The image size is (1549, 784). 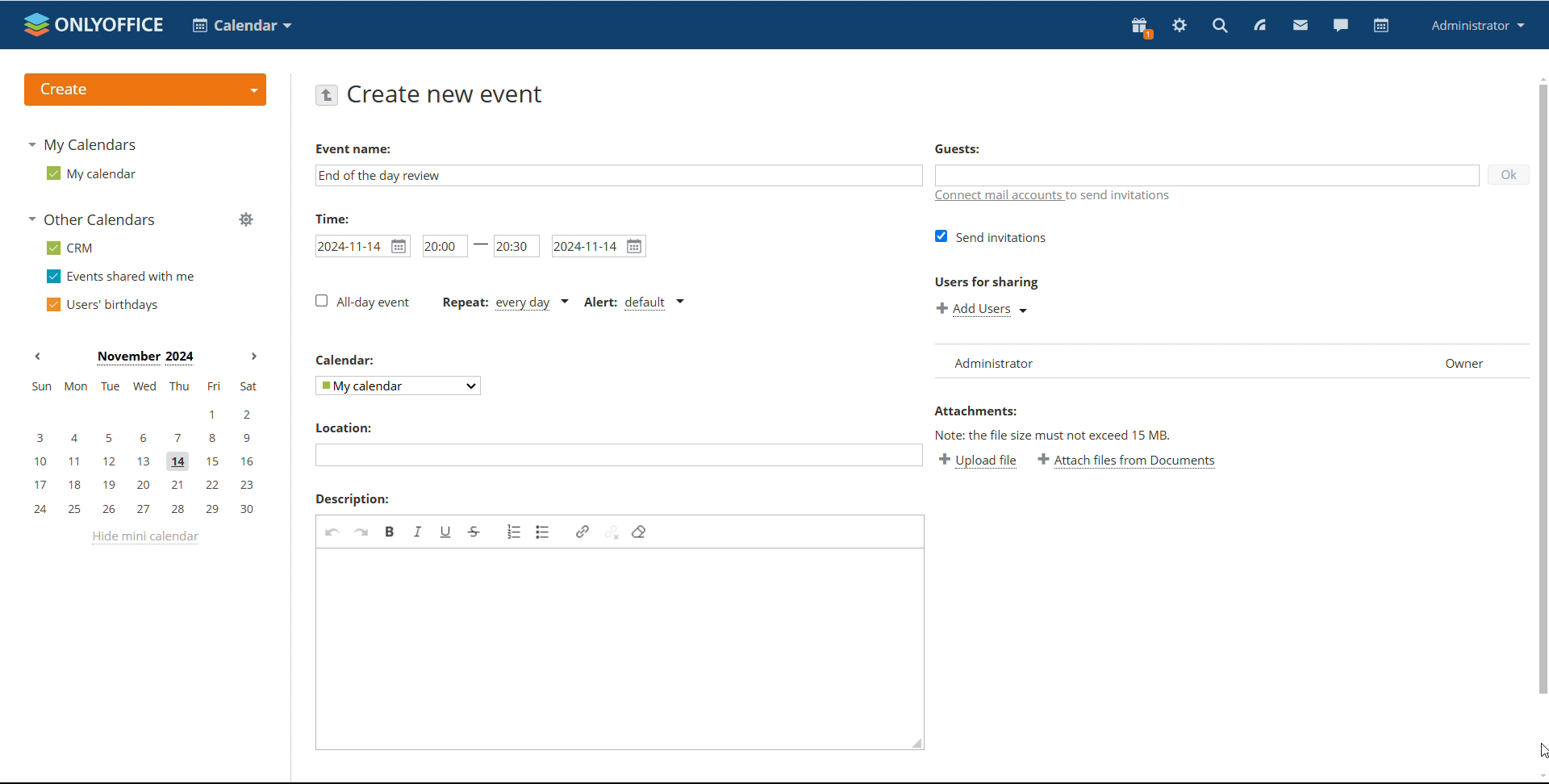 What do you see at coordinates (254, 357) in the screenshot?
I see `next month` at bounding box center [254, 357].